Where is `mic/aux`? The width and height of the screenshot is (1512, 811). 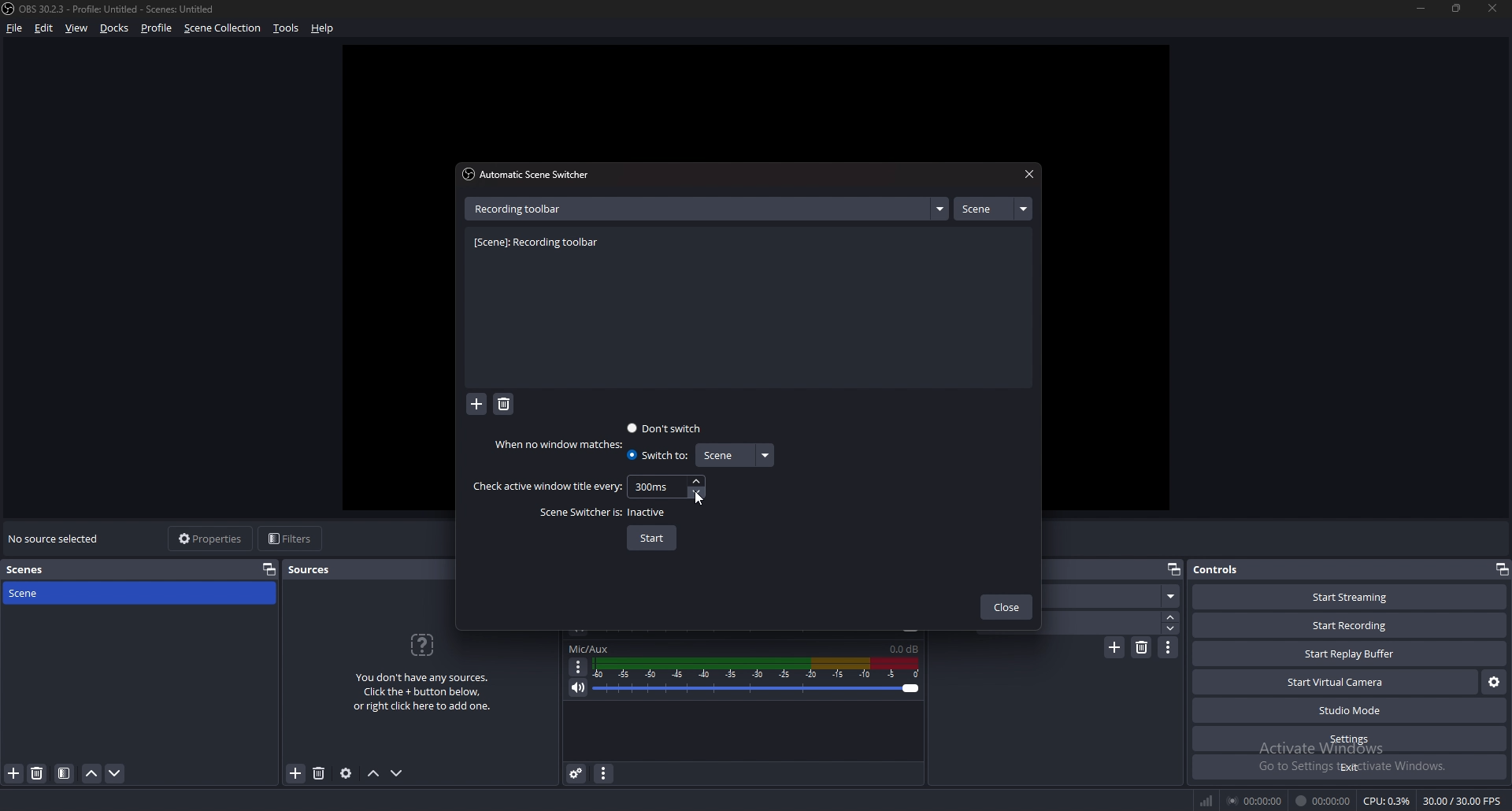 mic/aux is located at coordinates (589, 649).